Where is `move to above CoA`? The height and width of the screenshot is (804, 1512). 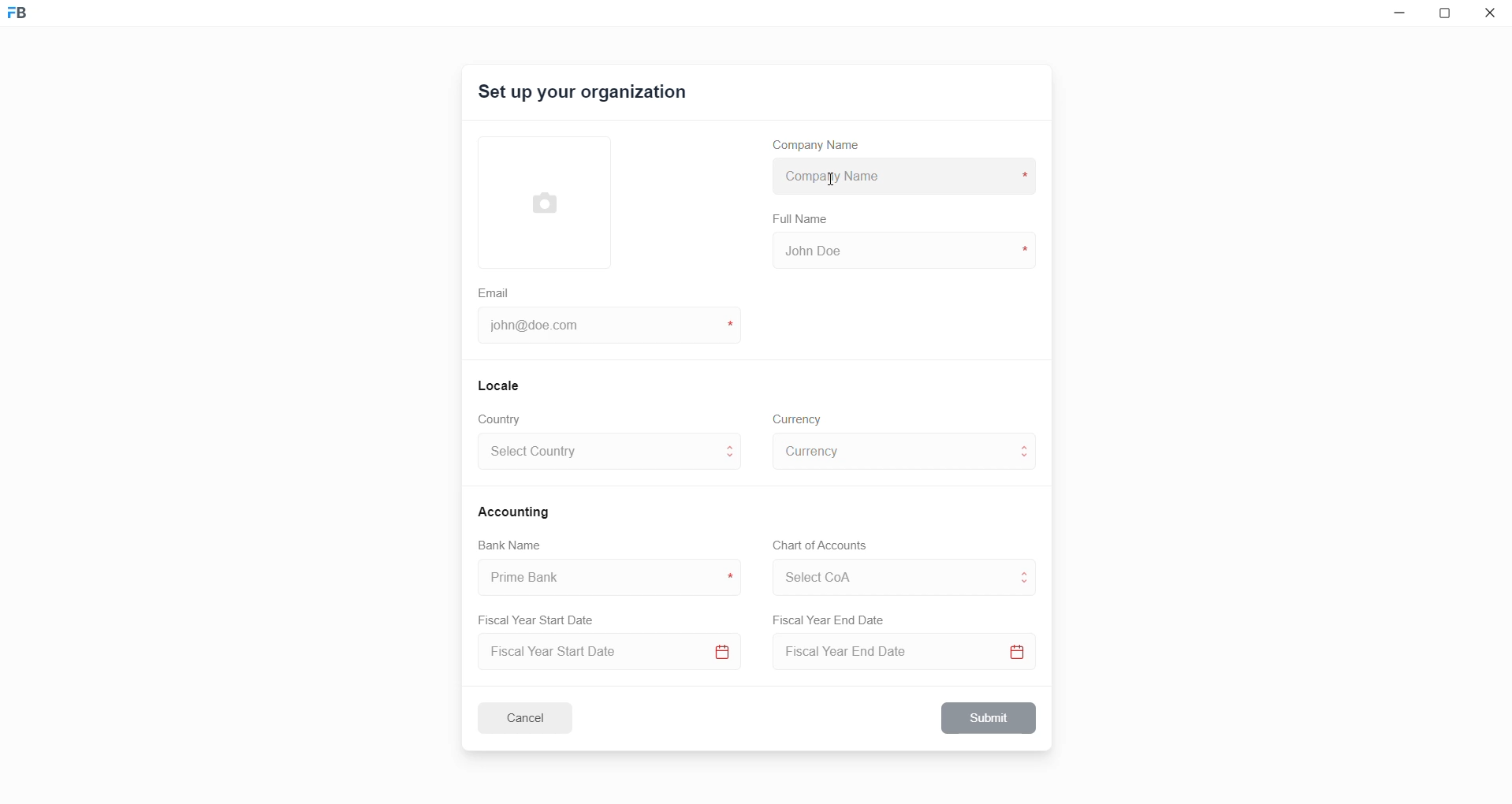 move to above CoA is located at coordinates (1028, 571).